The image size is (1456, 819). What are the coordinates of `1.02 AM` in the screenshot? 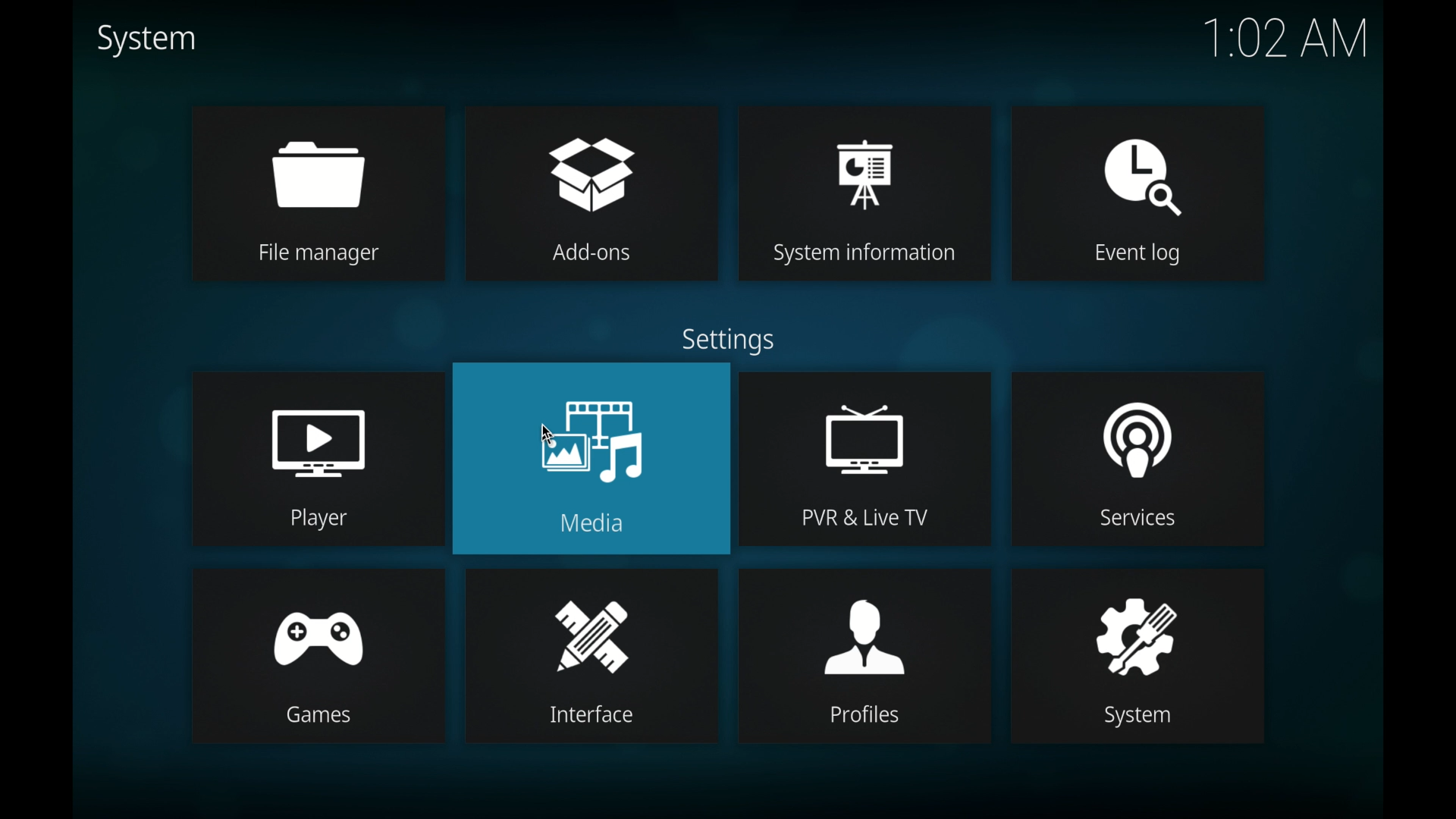 It's located at (1284, 41).